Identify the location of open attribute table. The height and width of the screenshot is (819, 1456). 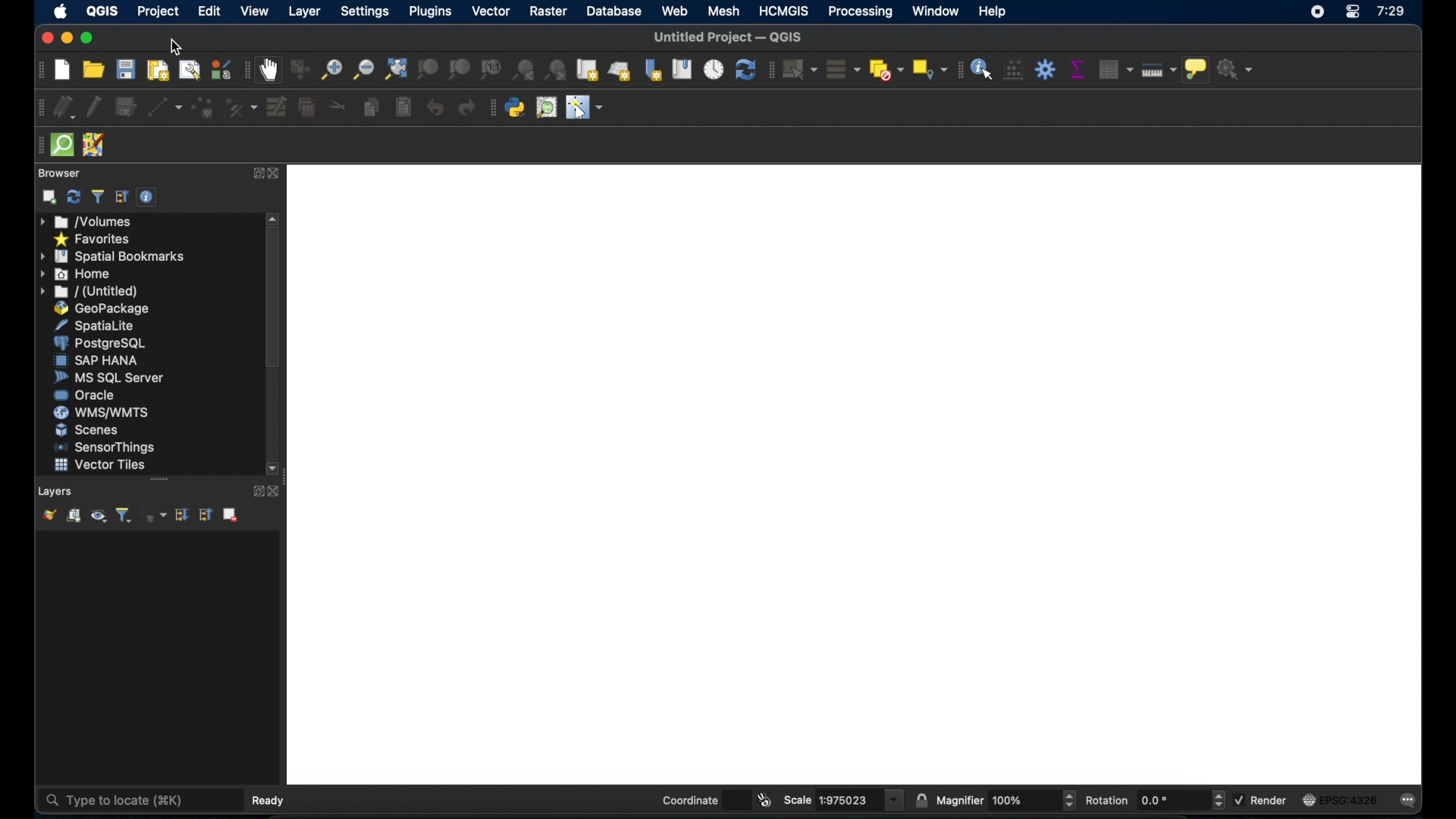
(1116, 67).